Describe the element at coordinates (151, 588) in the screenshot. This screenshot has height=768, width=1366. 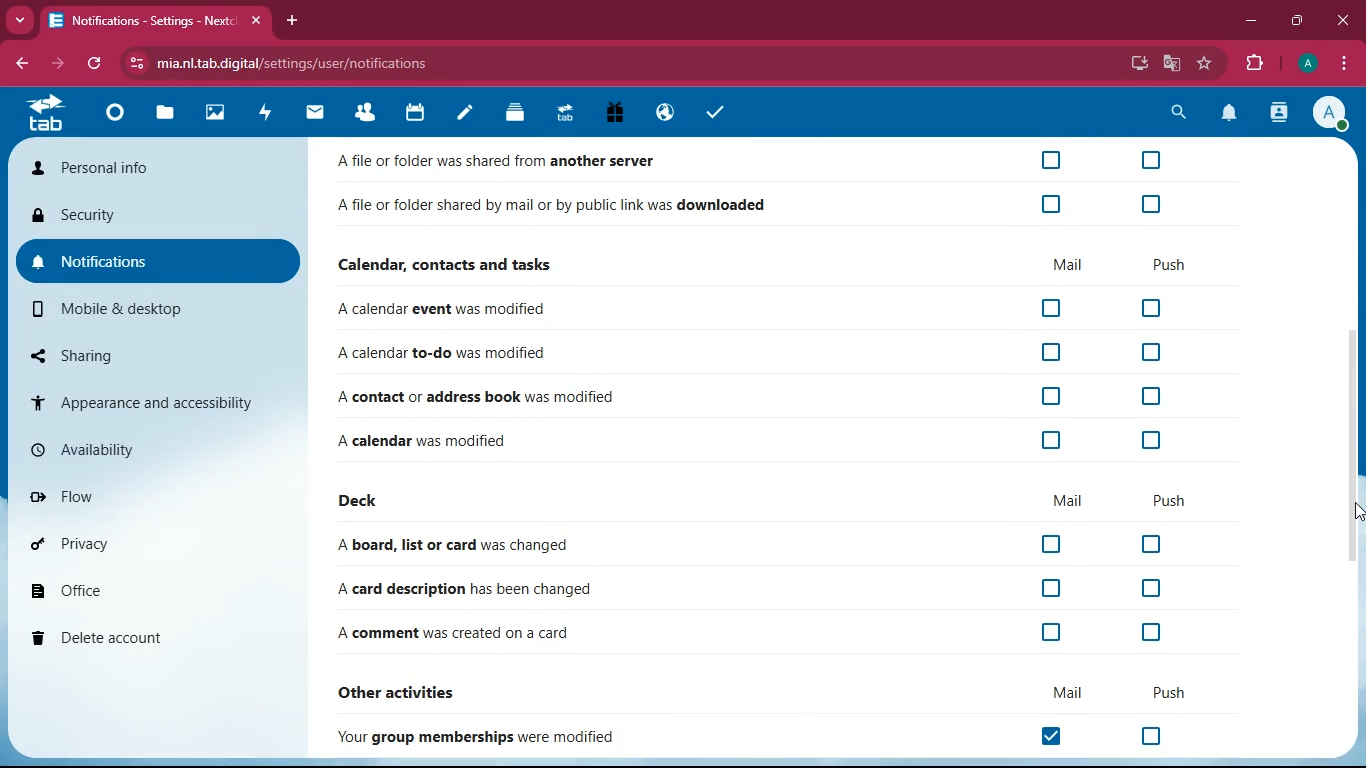
I see `office` at that location.